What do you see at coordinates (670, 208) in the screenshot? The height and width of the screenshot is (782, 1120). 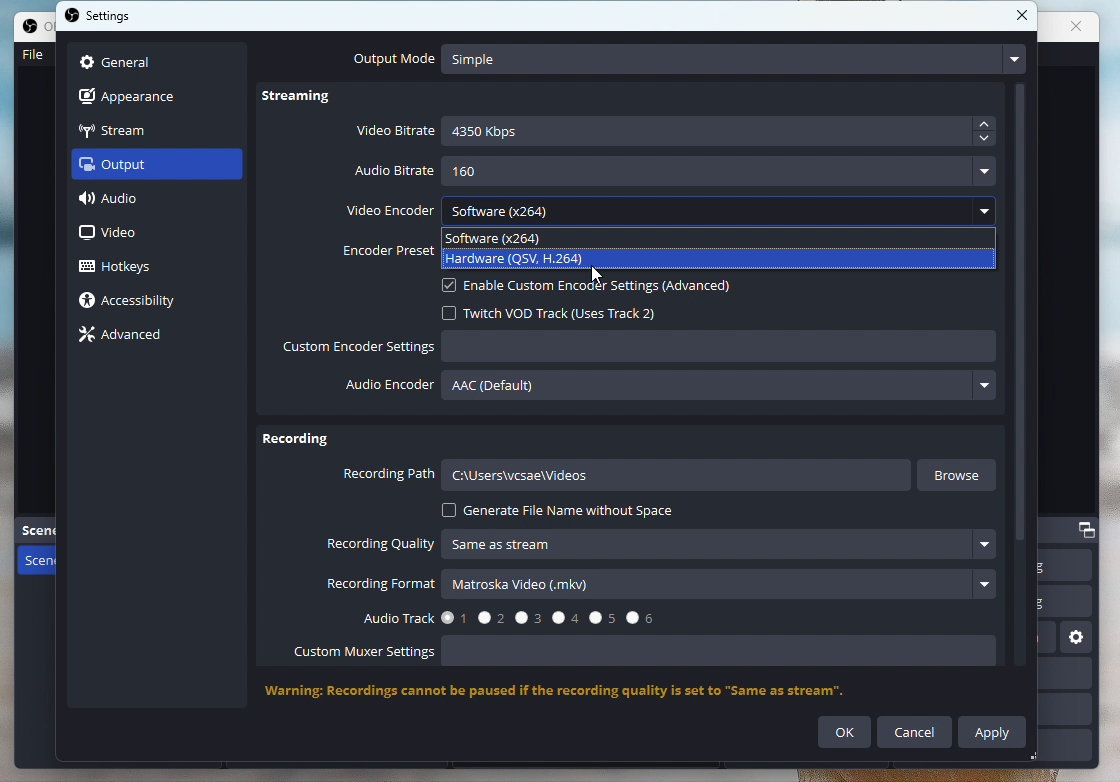 I see `video encoder` at bounding box center [670, 208].